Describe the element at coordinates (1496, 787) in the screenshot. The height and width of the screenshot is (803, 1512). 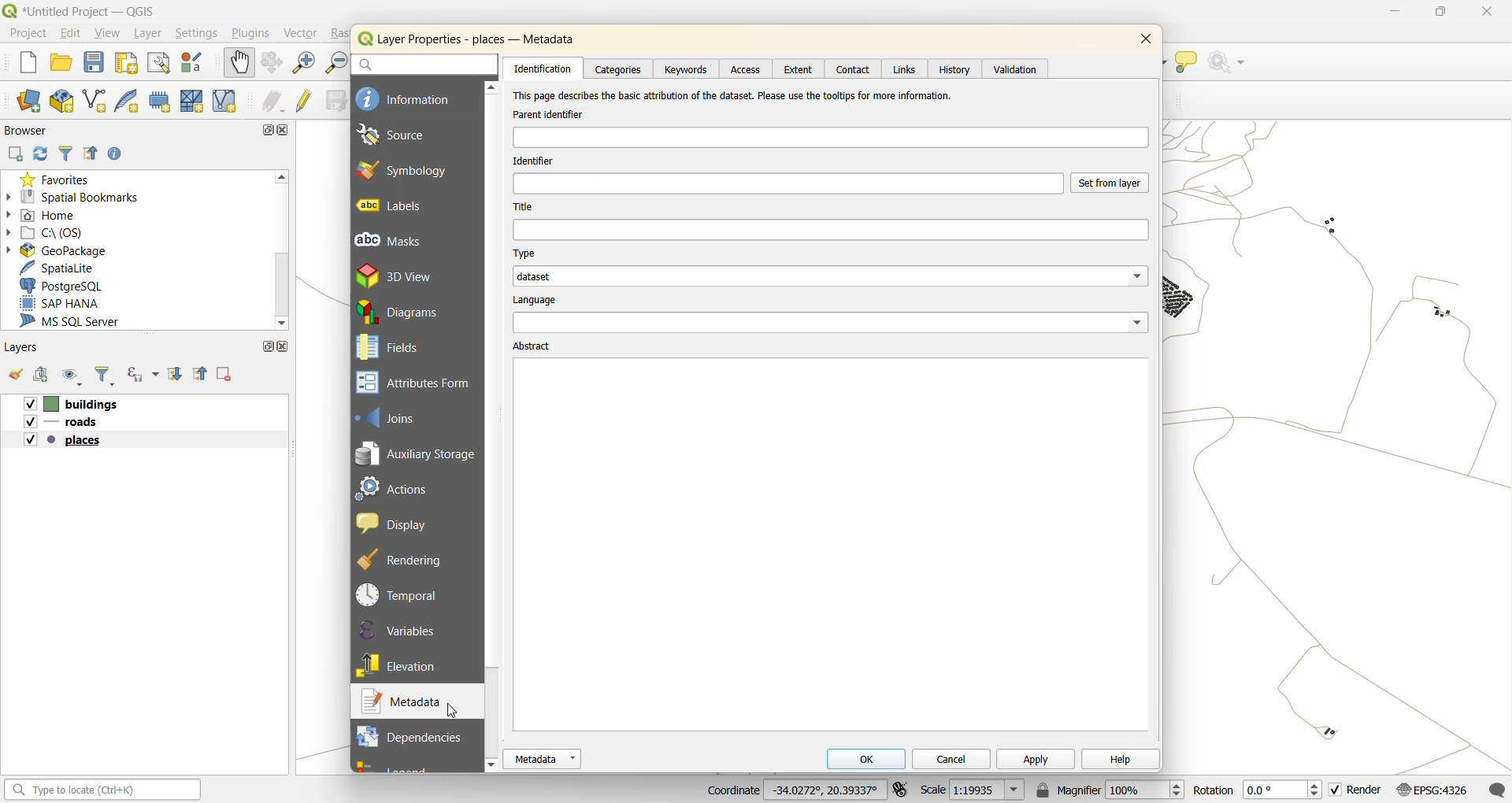
I see `log messages` at that location.